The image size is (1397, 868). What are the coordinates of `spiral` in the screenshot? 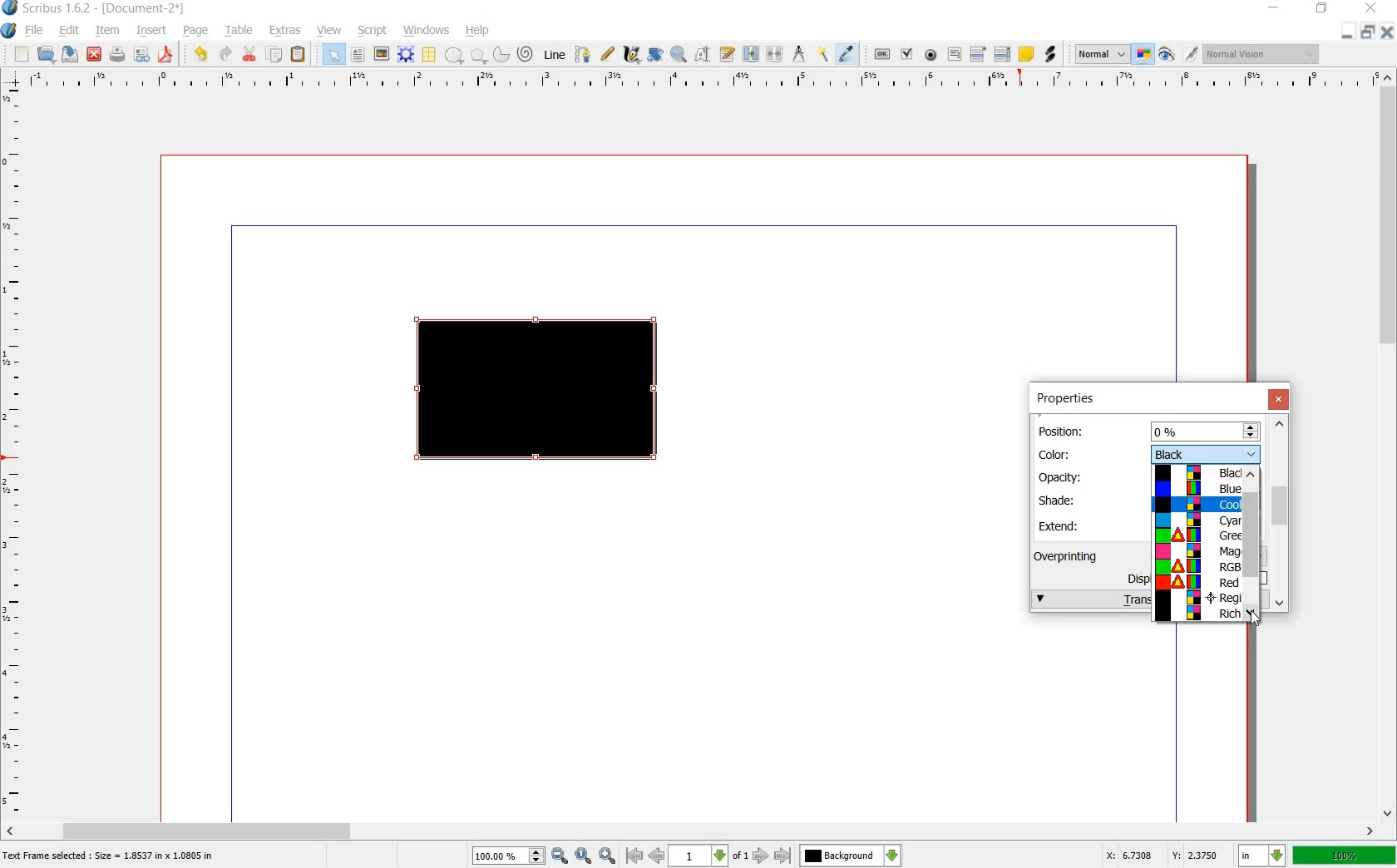 It's located at (526, 53).